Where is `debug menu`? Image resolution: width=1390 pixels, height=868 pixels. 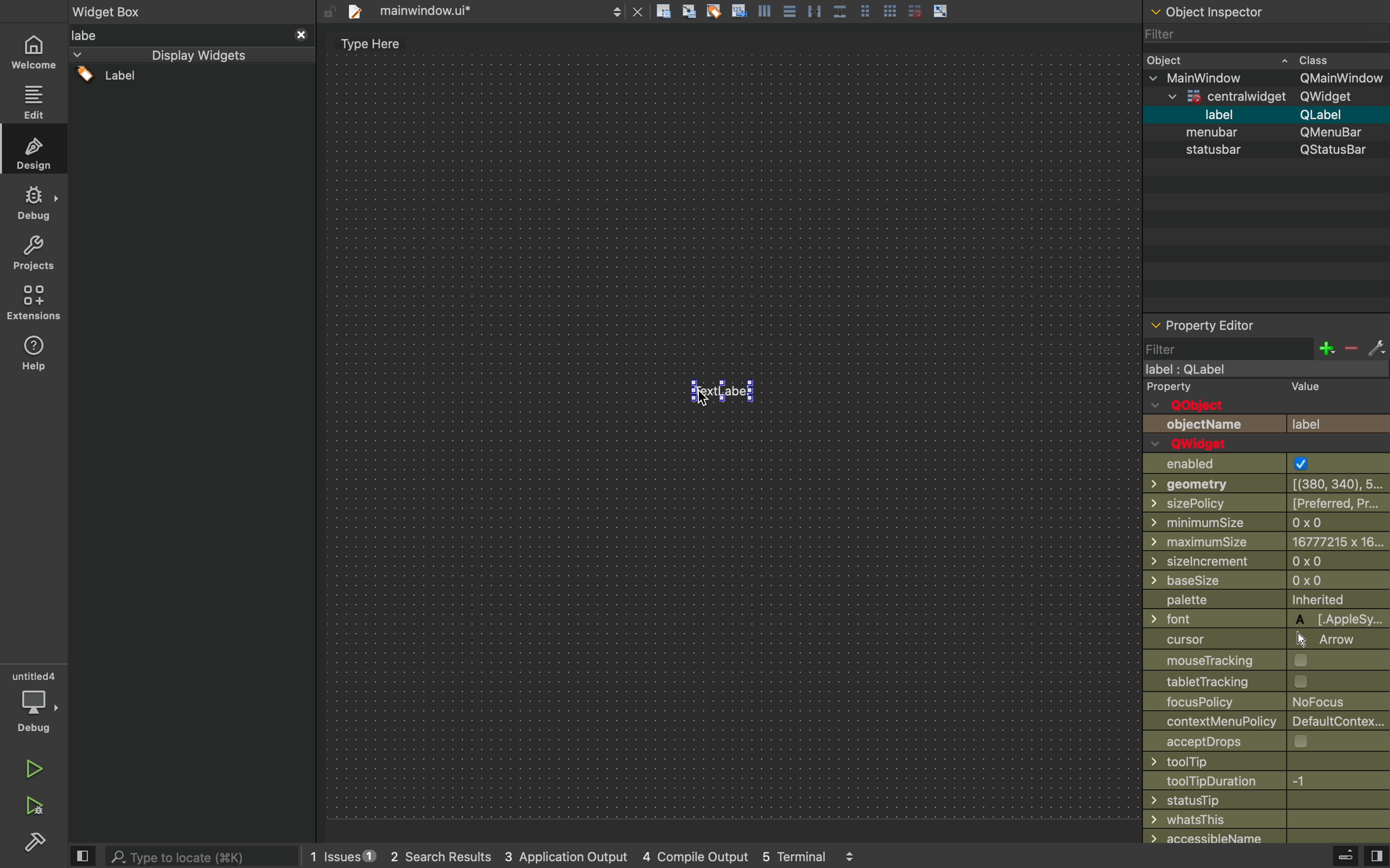 debug menu is located at coordinates (1332, 857).